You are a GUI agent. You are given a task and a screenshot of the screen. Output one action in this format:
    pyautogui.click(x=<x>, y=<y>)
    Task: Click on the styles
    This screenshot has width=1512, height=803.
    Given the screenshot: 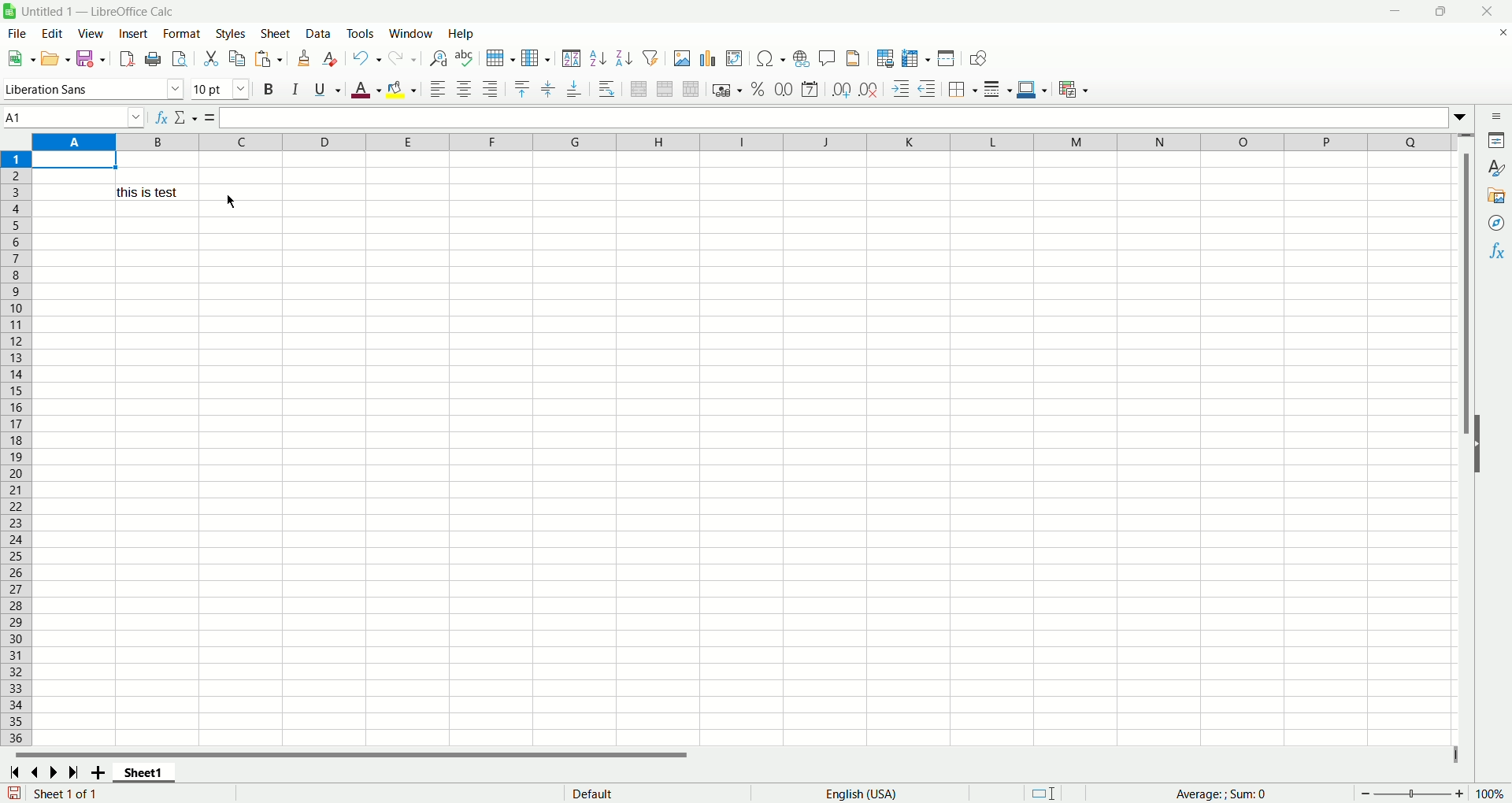 What is the action you would take?
    pyautogui.click(x=230, y=35)
    